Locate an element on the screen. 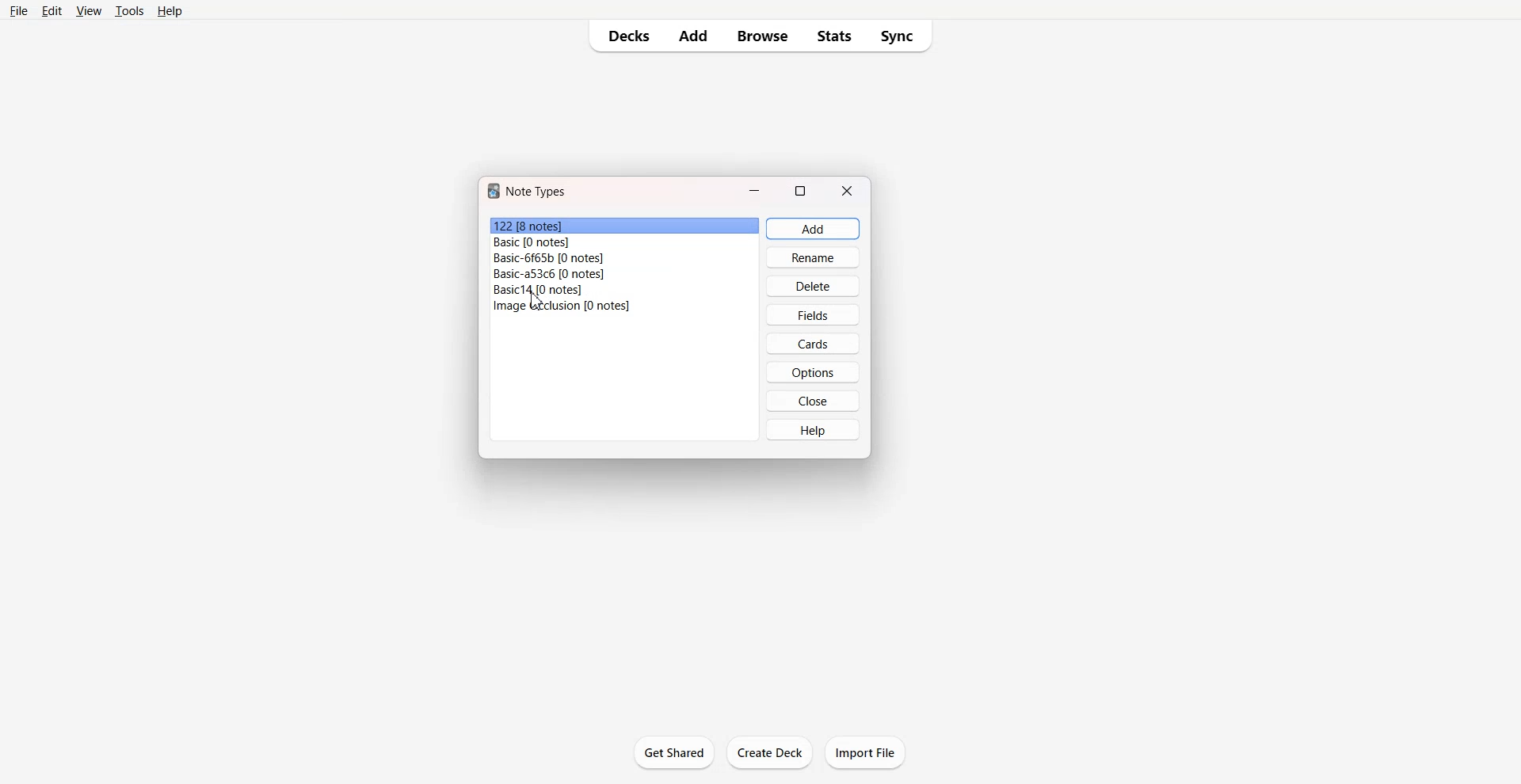  File is located at coordinates (625, 258).